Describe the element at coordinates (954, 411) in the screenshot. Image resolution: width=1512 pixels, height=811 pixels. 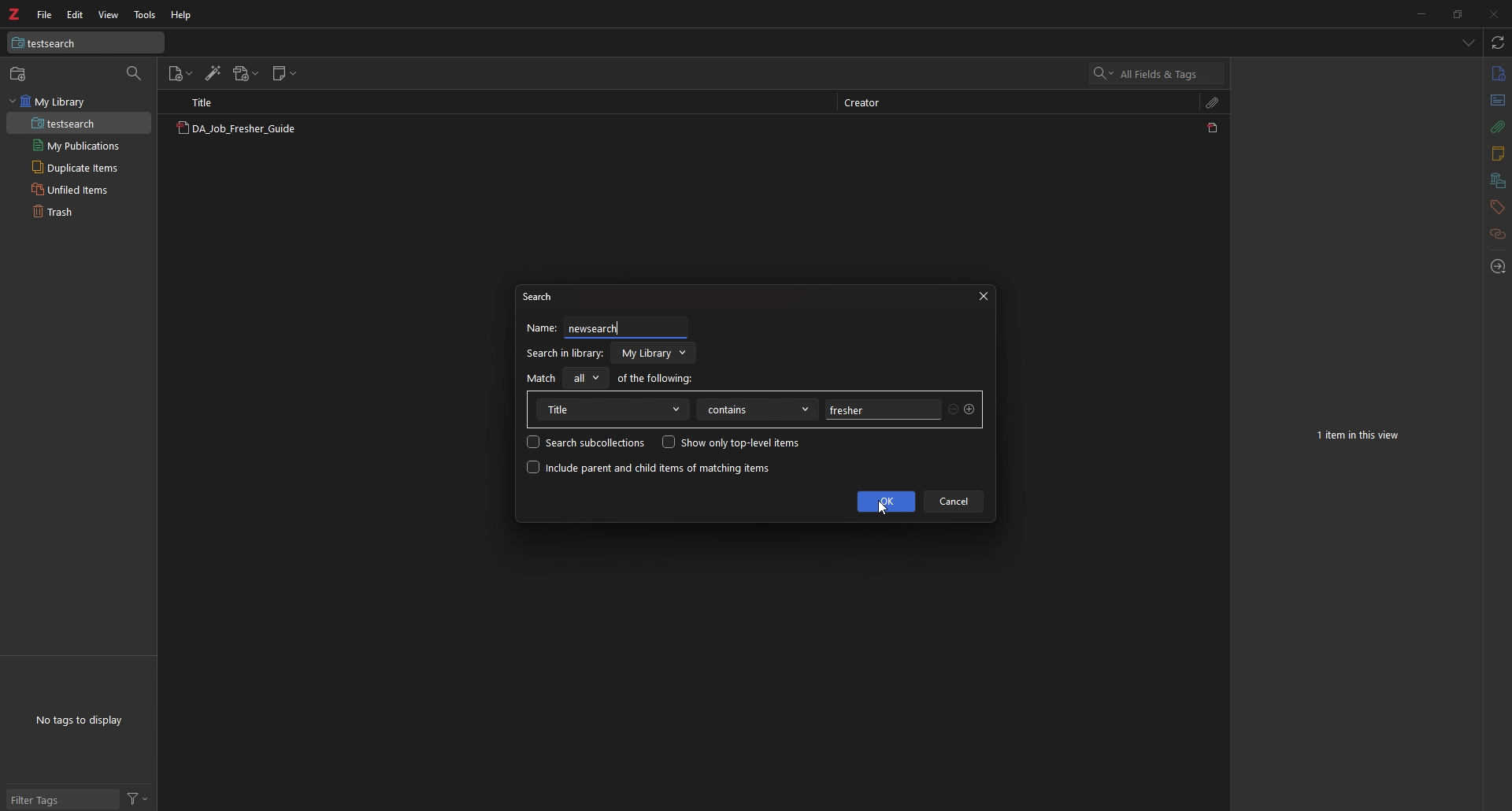
I see `remove keyword` at that location.